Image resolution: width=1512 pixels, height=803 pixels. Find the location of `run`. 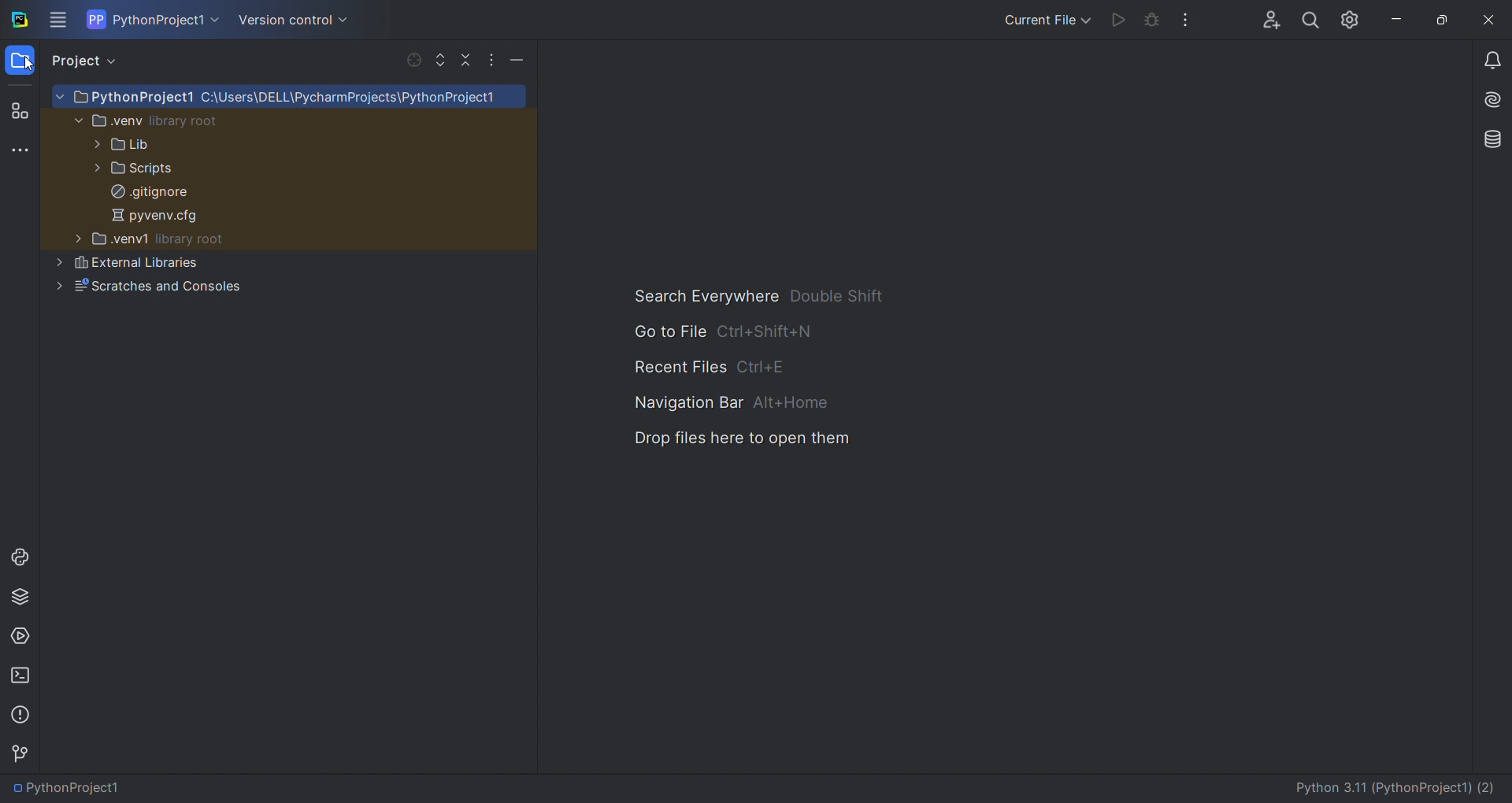

run is located at coordinates (1116, 20).